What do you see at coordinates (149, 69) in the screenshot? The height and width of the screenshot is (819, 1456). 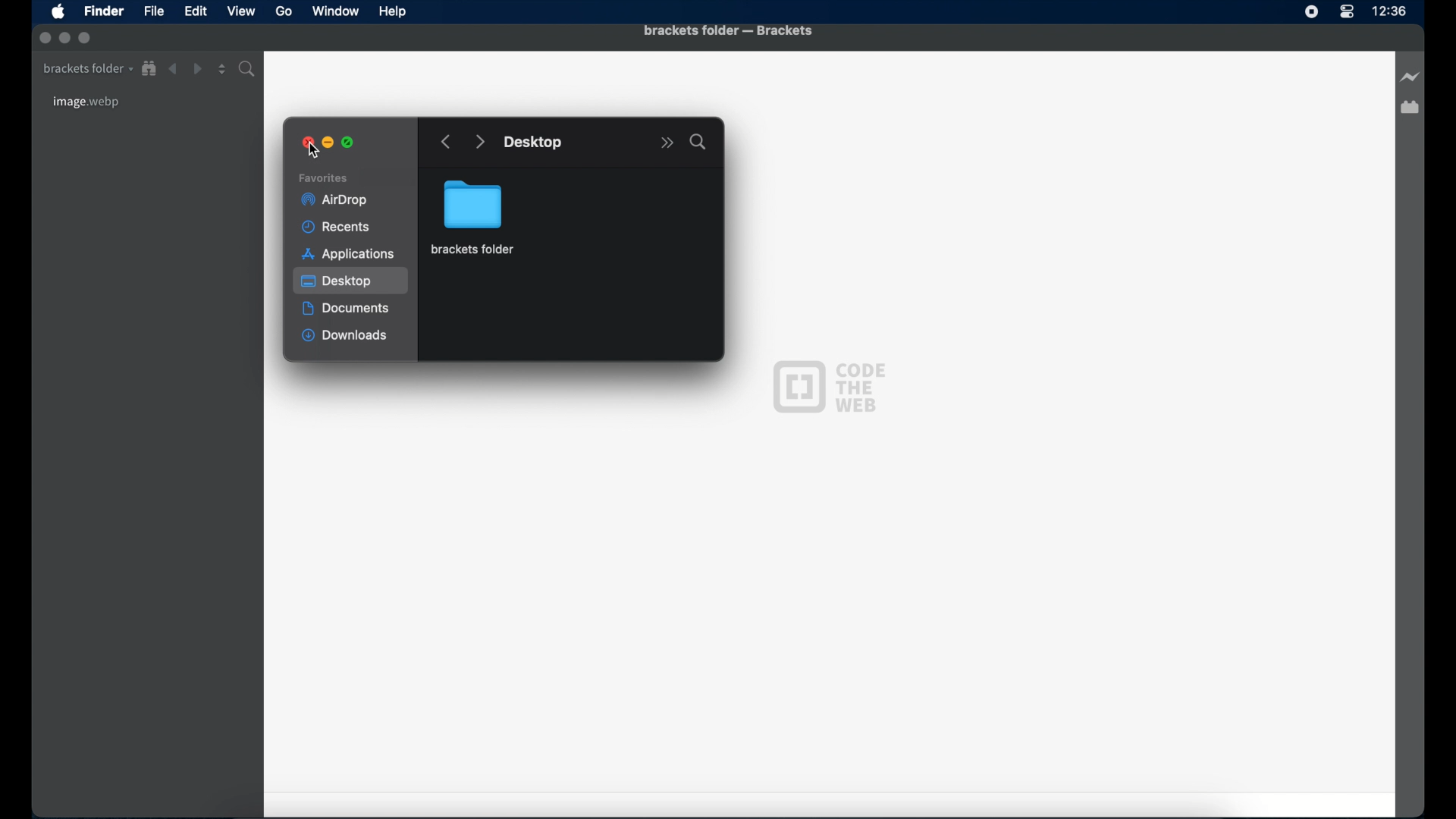 I see `show in file tree` at bounding box center [149, 69].